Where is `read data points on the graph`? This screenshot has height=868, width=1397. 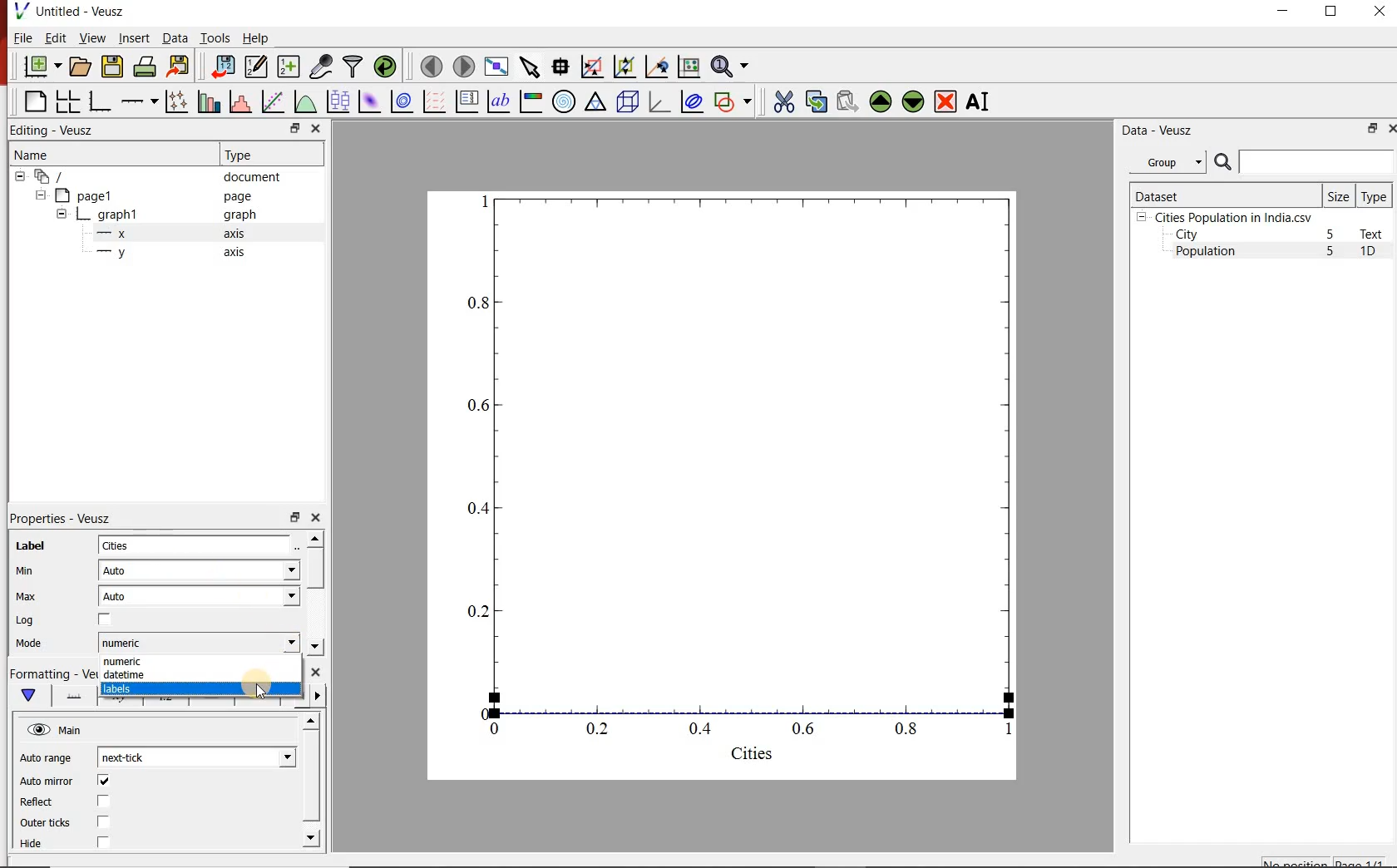 read data points on the graph is located at coordinates (560, 65).